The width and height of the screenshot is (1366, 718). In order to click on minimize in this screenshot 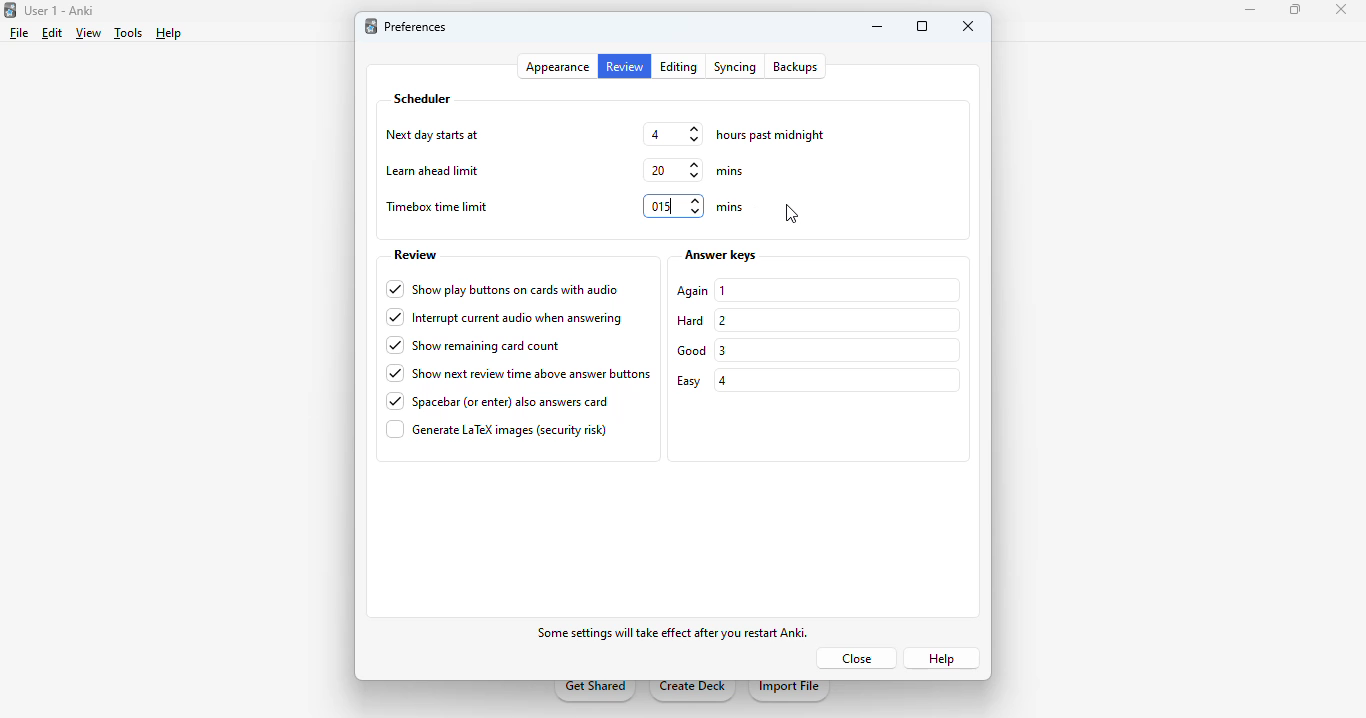, I will do `click(1252, 10)`.